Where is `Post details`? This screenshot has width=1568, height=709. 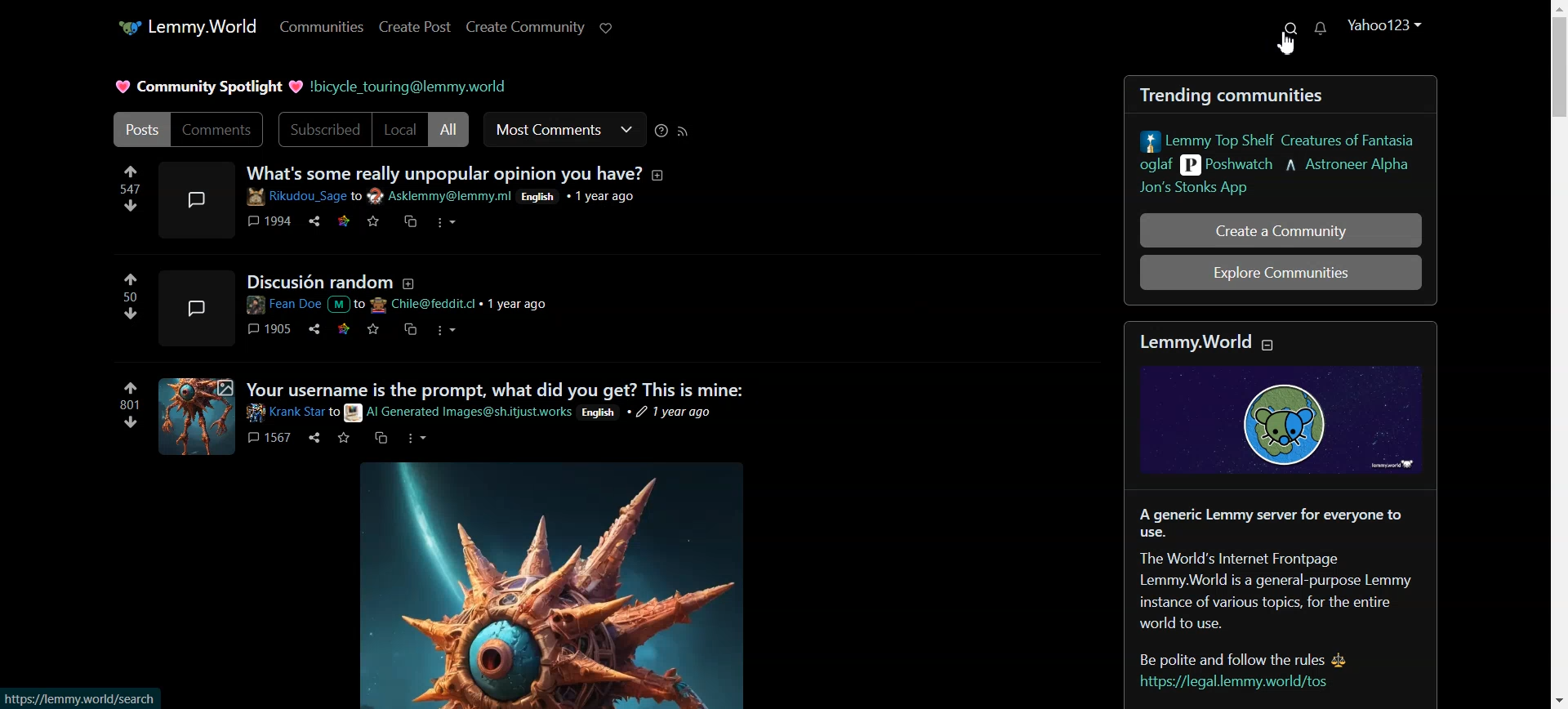 Post details is located at coordinates (399, 304).